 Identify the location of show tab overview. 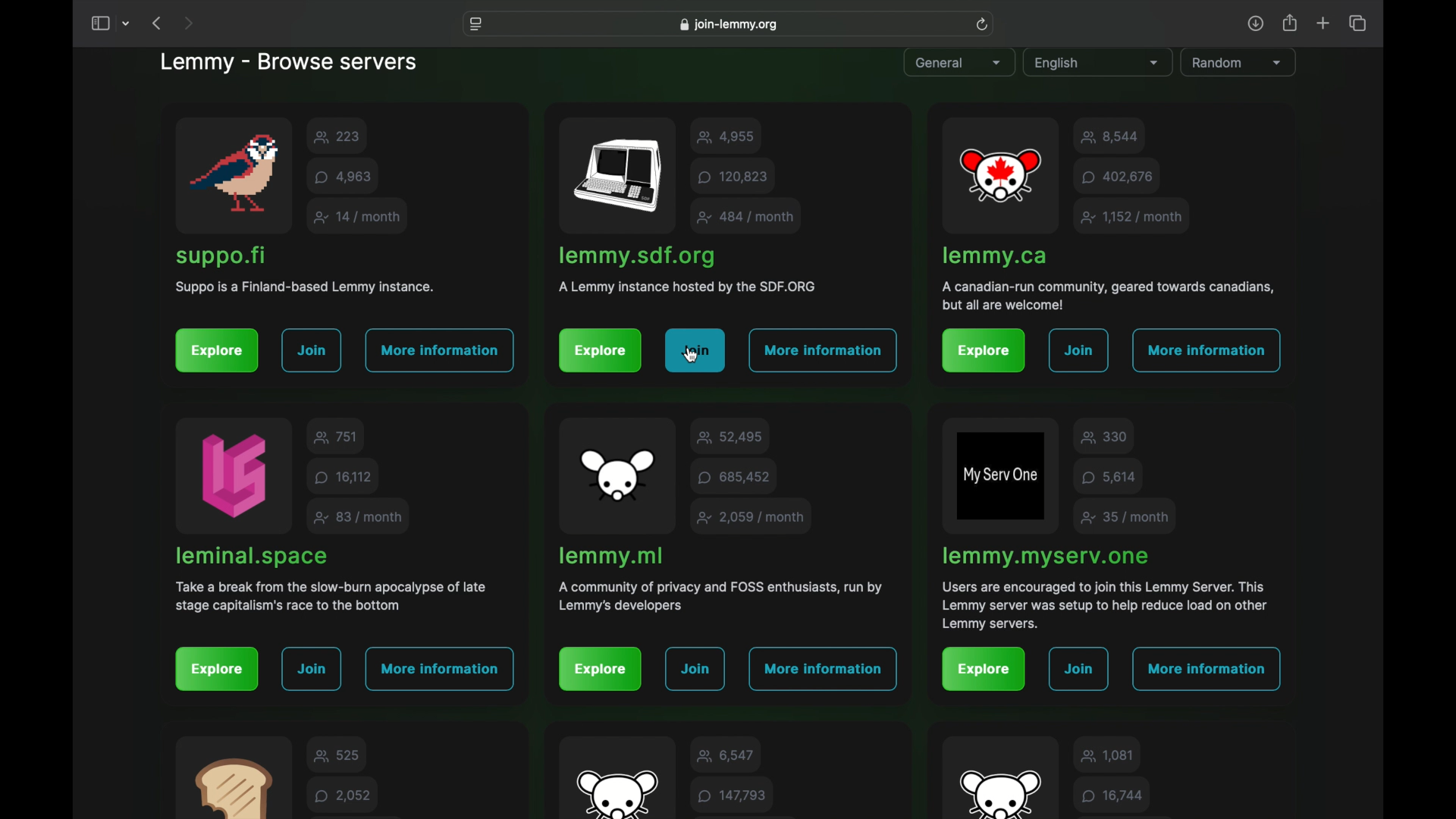
(1357, 24).